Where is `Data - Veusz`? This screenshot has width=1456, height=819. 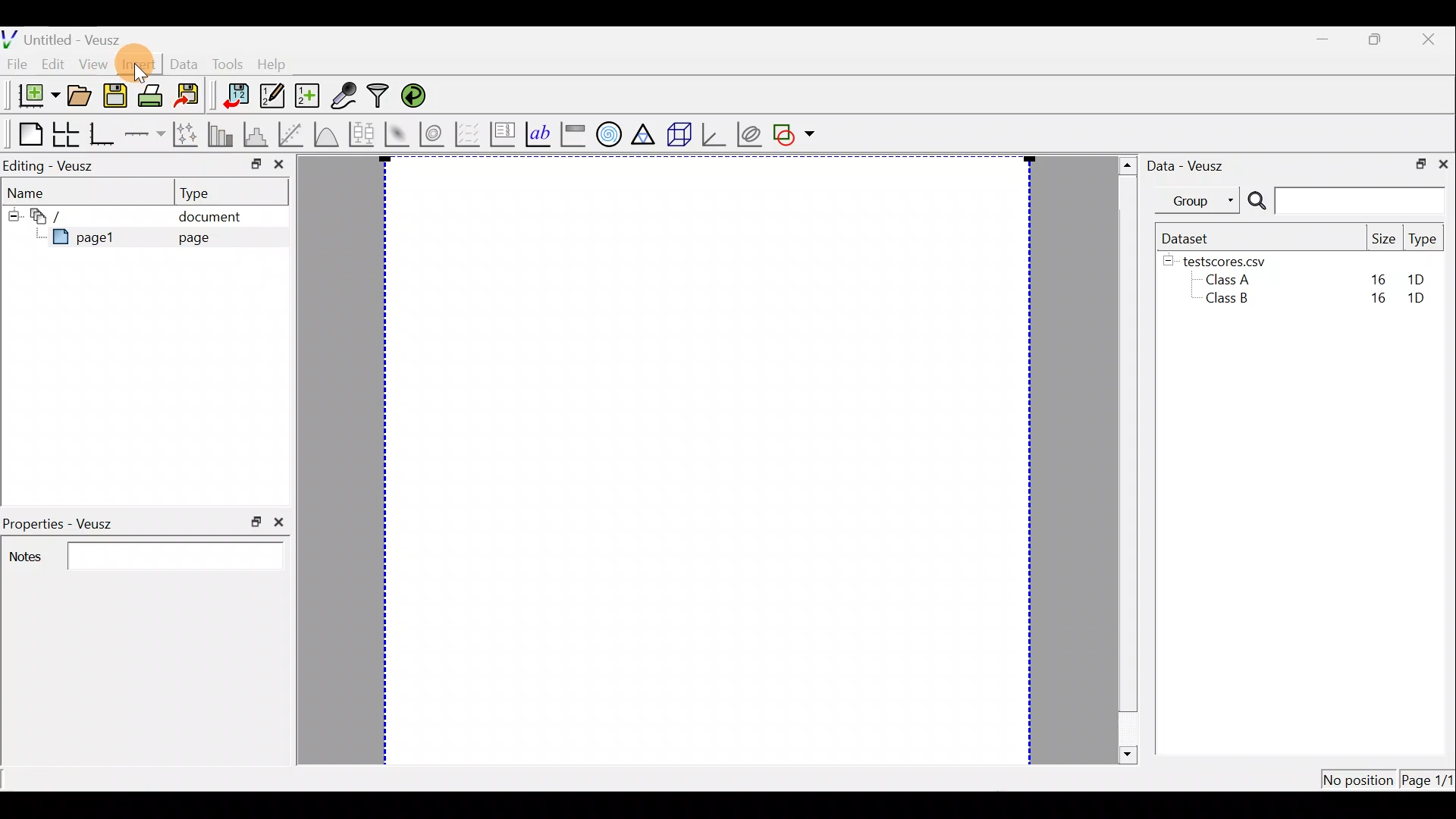 Data - Veusz is located at coordinates (1194, 165).